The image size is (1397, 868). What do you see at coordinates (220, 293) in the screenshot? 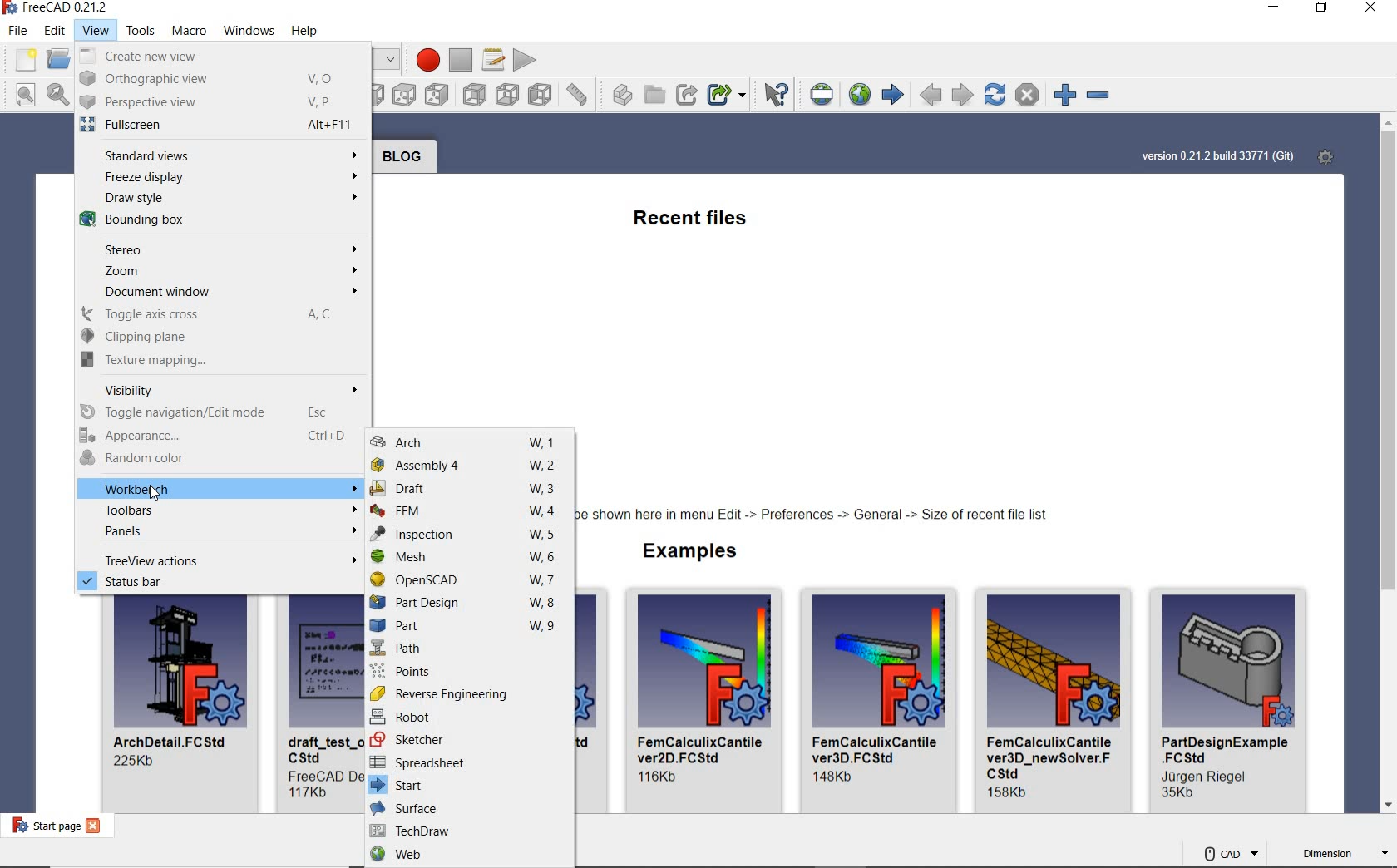
I see `document window` at bounding box center [220, 293].